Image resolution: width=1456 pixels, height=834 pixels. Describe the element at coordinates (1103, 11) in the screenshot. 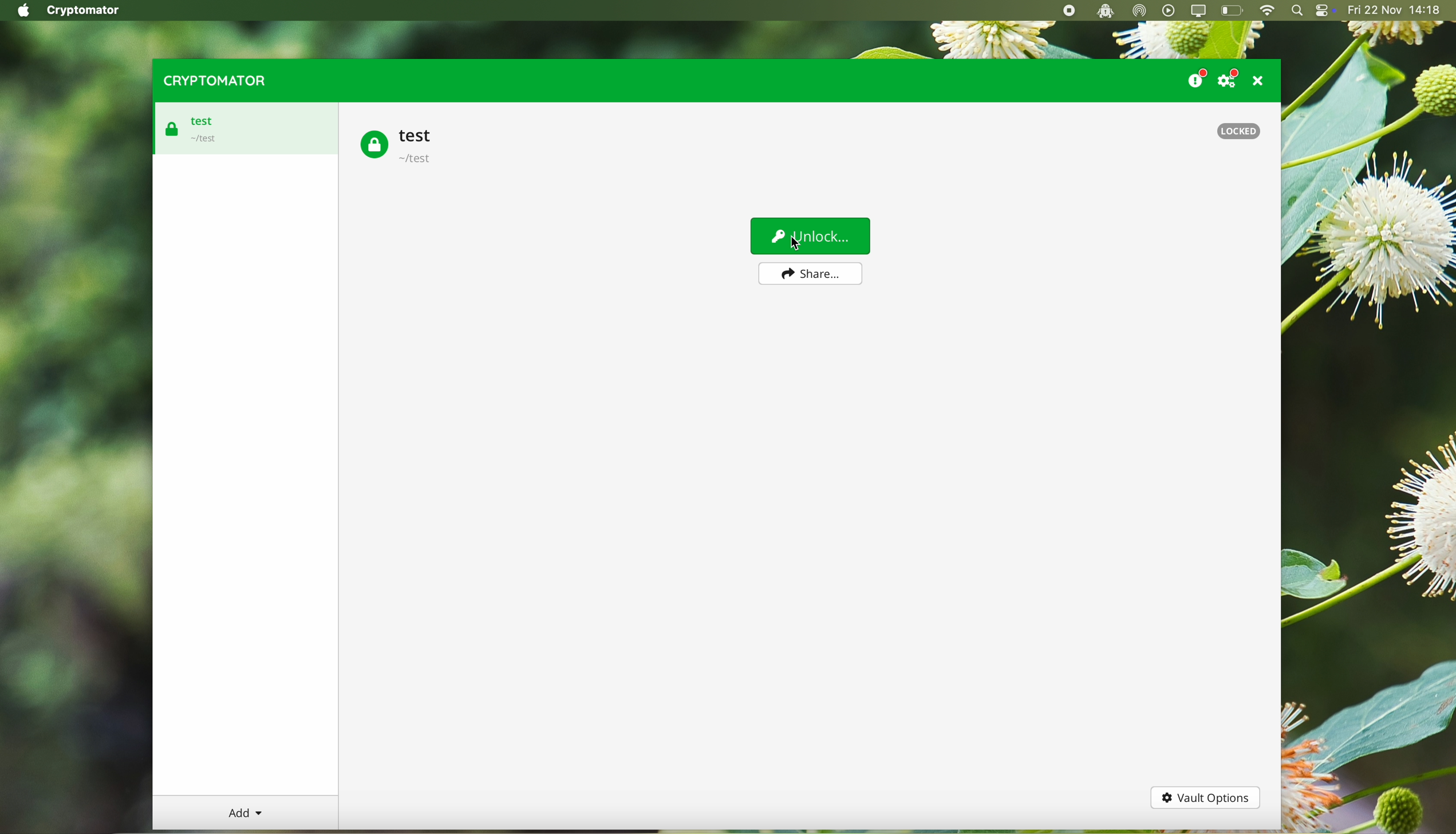

I see `cryptomator open` at that location.